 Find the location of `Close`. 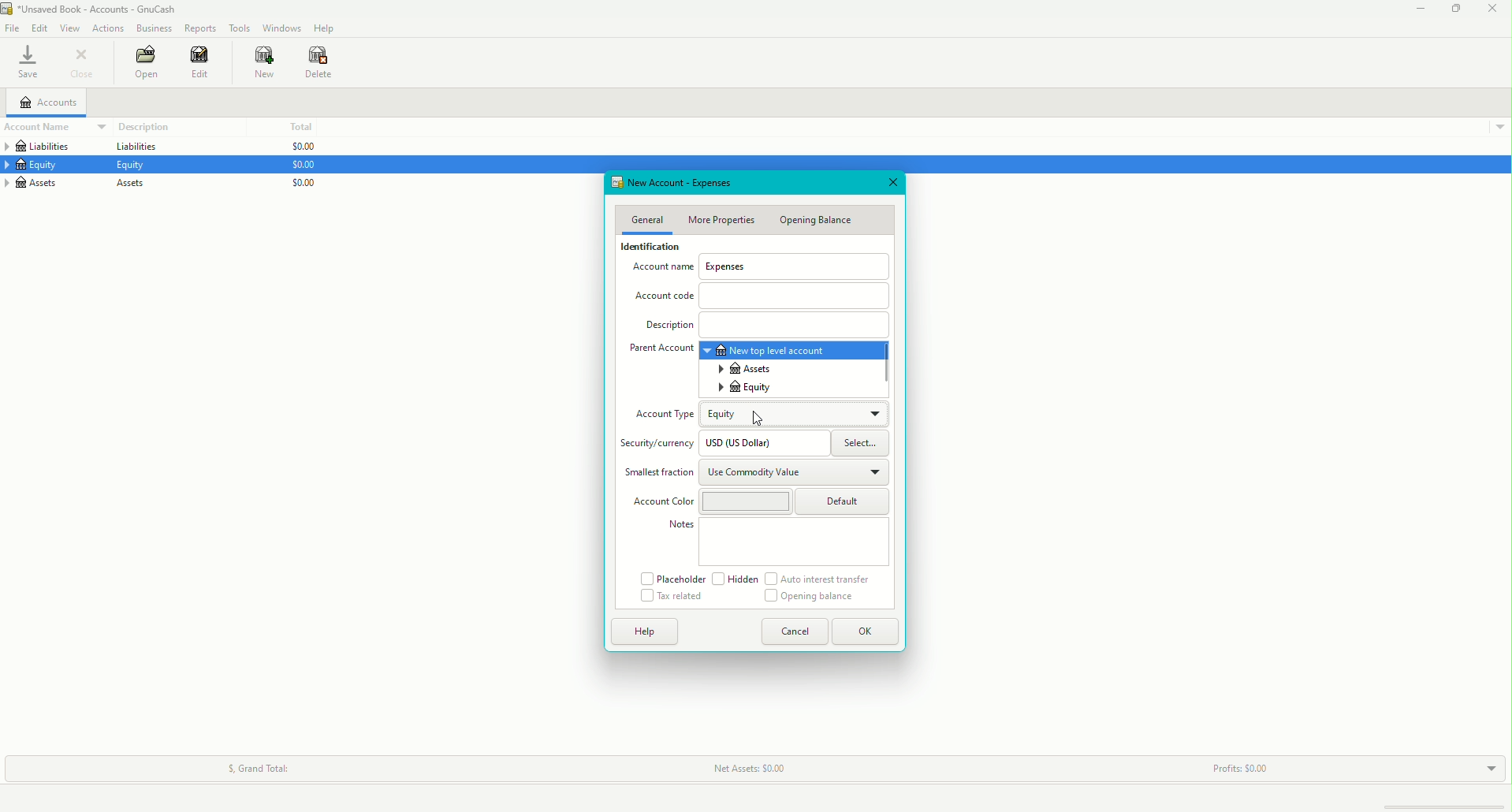

Close is located at coordinates (84, 64).